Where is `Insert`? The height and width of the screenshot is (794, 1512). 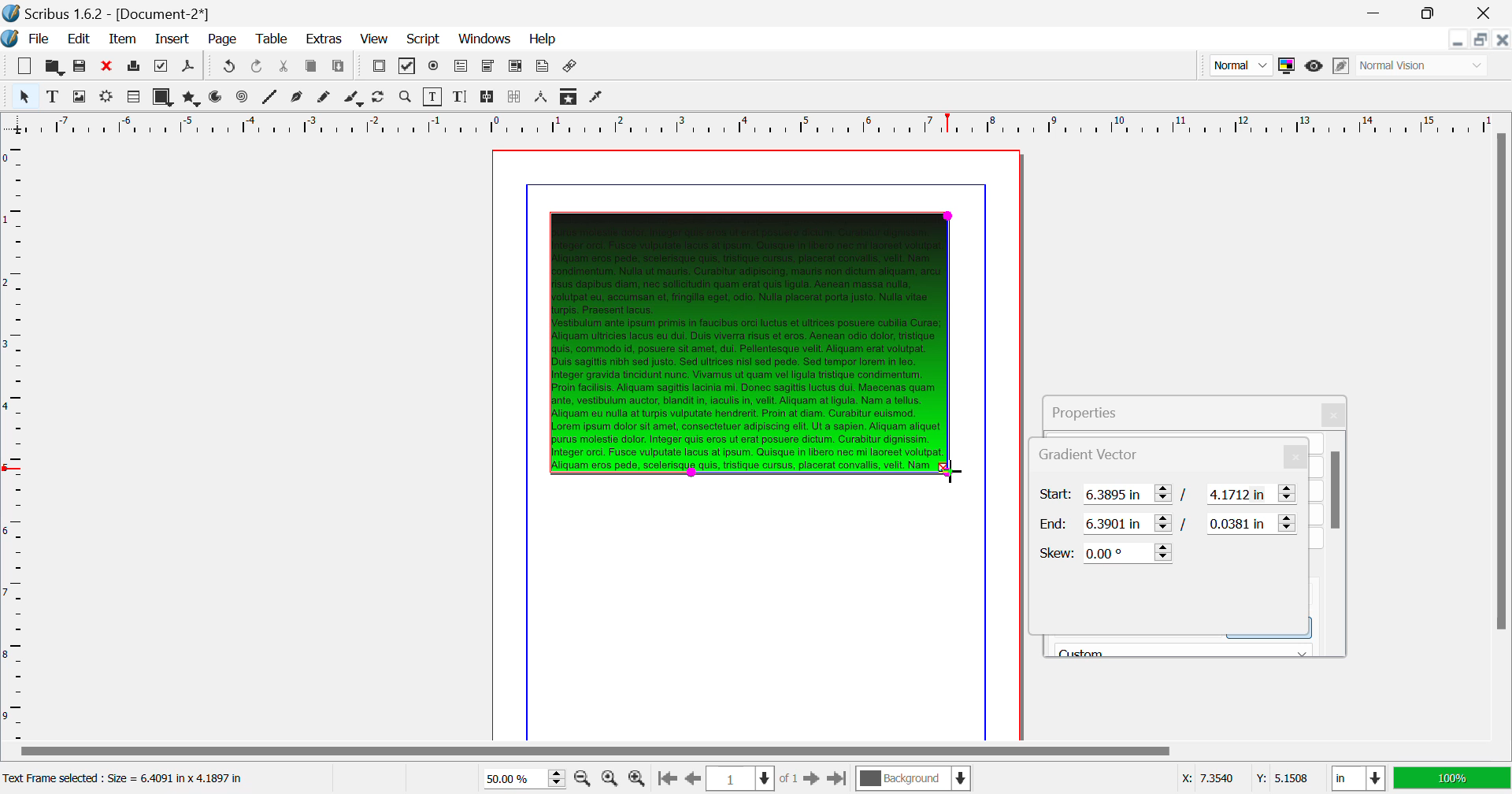
Insert is located at coordinates (173, 40).